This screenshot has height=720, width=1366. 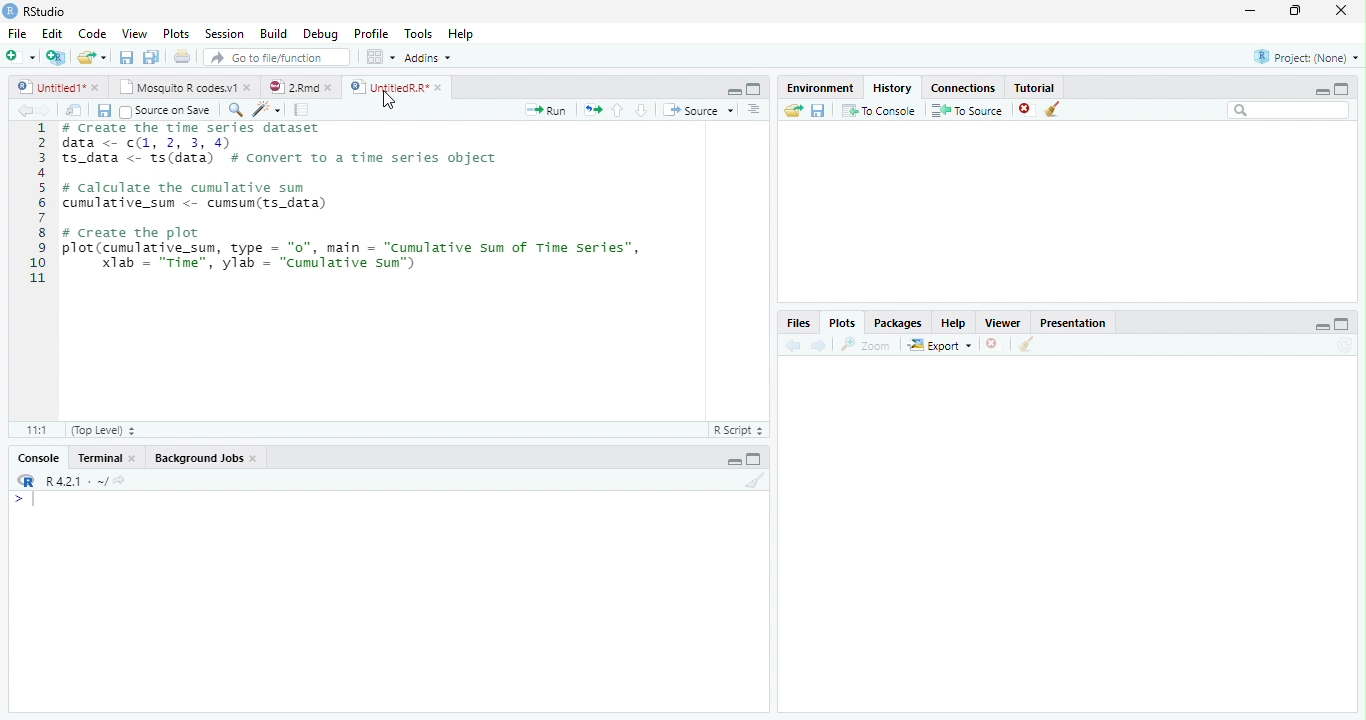 I want to click on Close, so click(x=1336, y=12).